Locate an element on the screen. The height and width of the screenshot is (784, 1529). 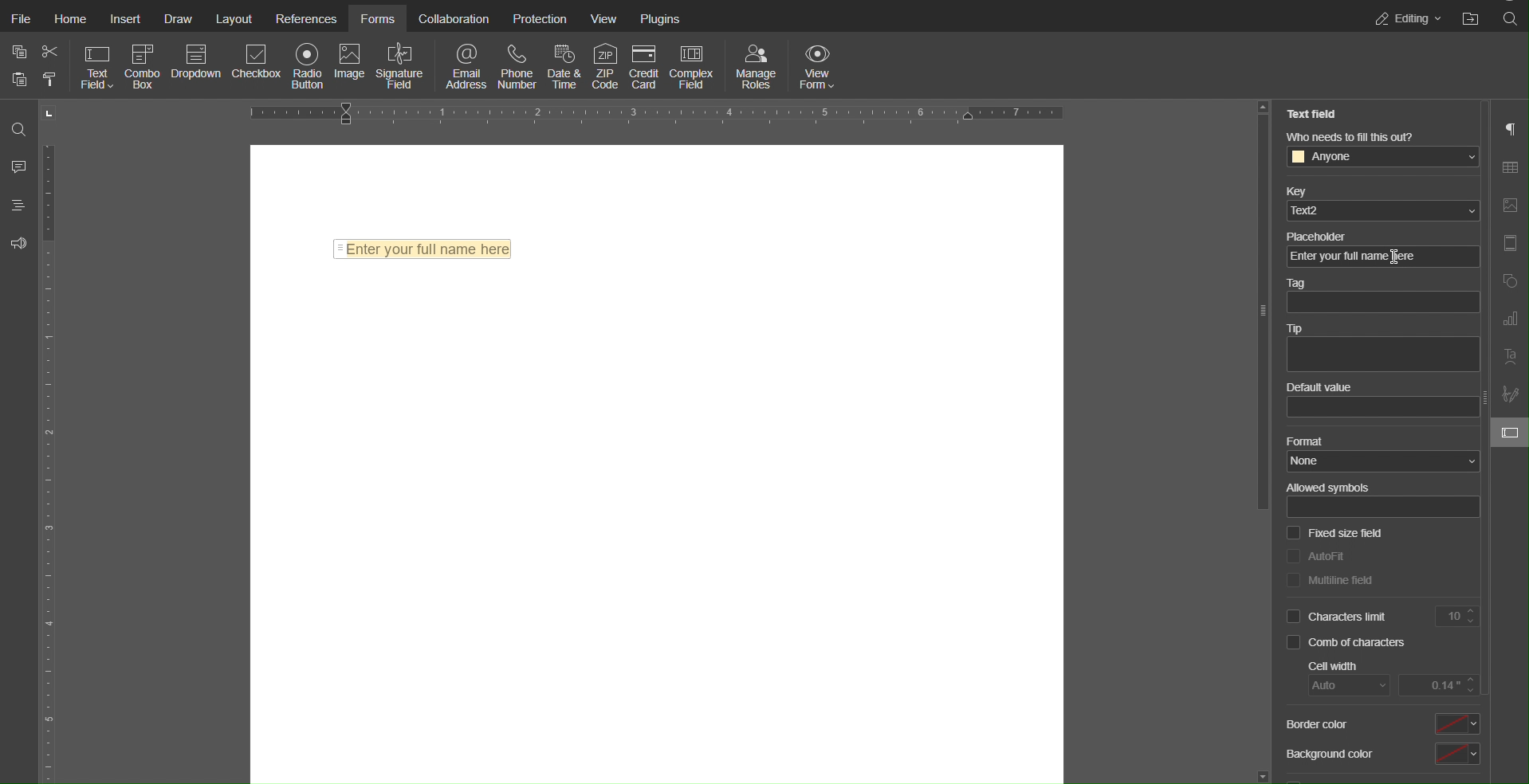
Table Settings is located at coordinates (1508, 167).